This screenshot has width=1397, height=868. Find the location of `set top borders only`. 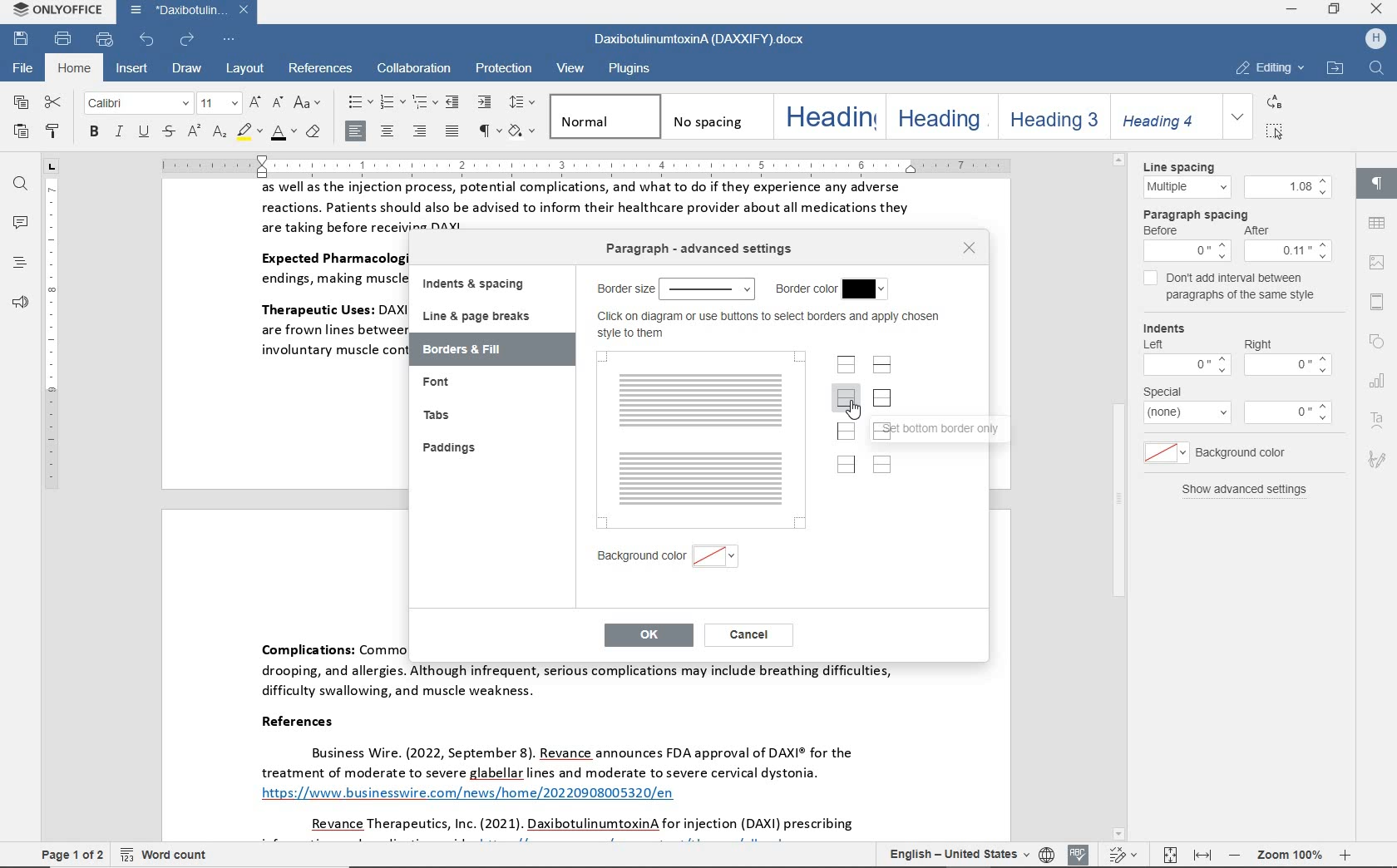

set top borders only is located at coordinates (847, 364).